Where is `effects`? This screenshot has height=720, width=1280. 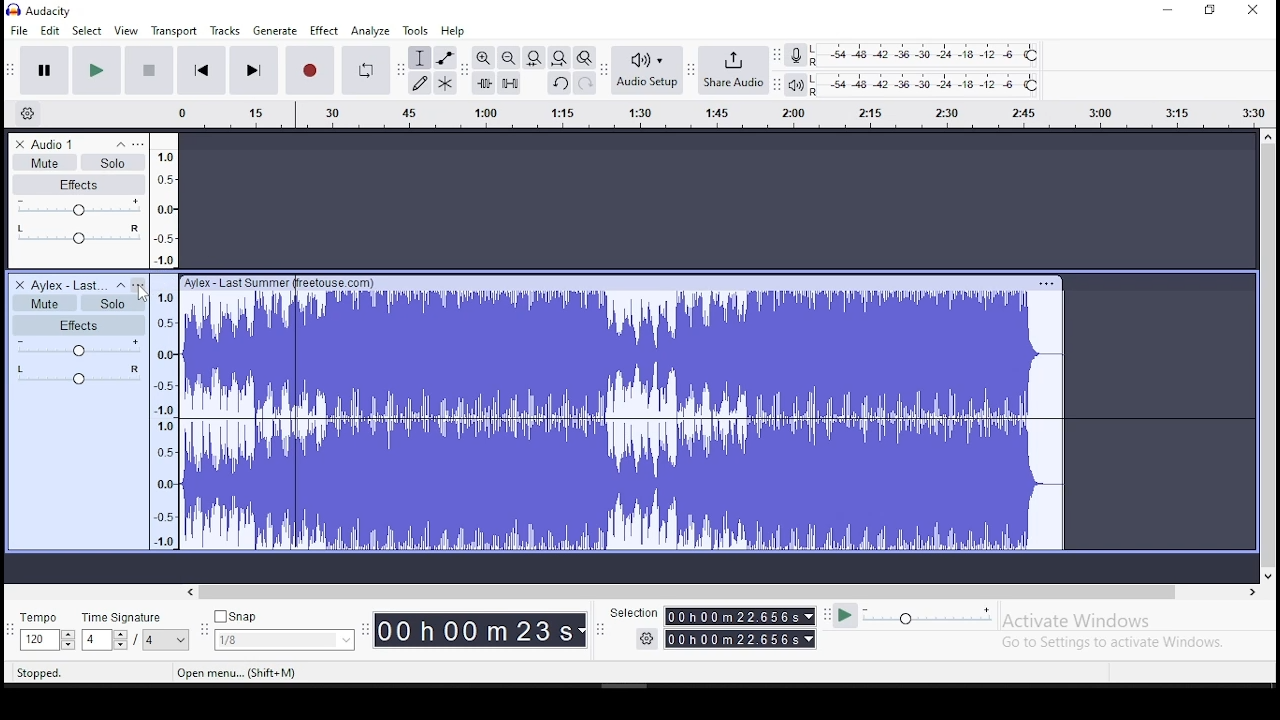
effects is located at coordinates (80, 184).